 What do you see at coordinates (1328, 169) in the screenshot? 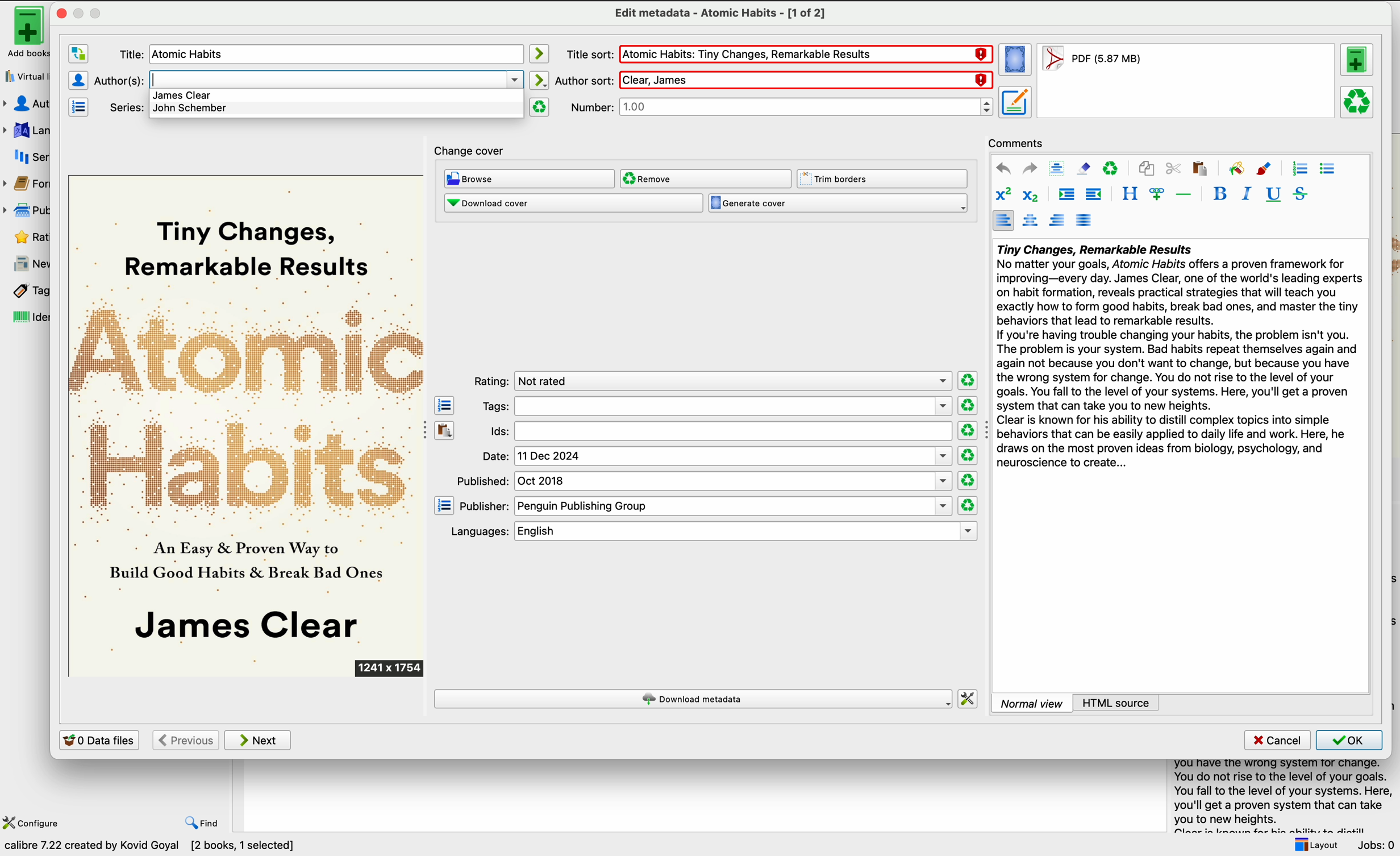
I see `unordered list` at bounding box center [1328, 169].